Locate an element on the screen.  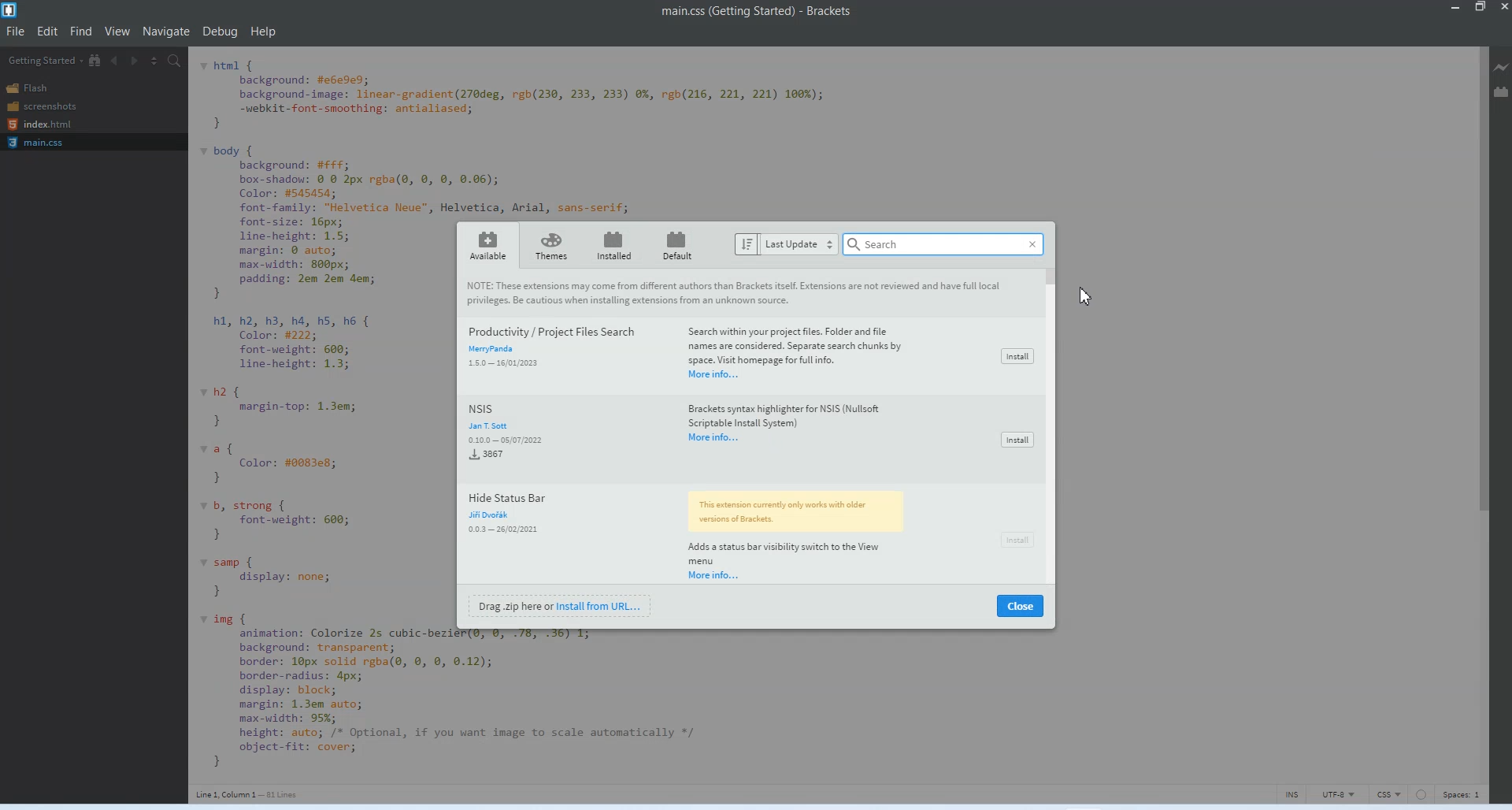
Split editor vertically and Horizontally is located at coordinates (154, 59).